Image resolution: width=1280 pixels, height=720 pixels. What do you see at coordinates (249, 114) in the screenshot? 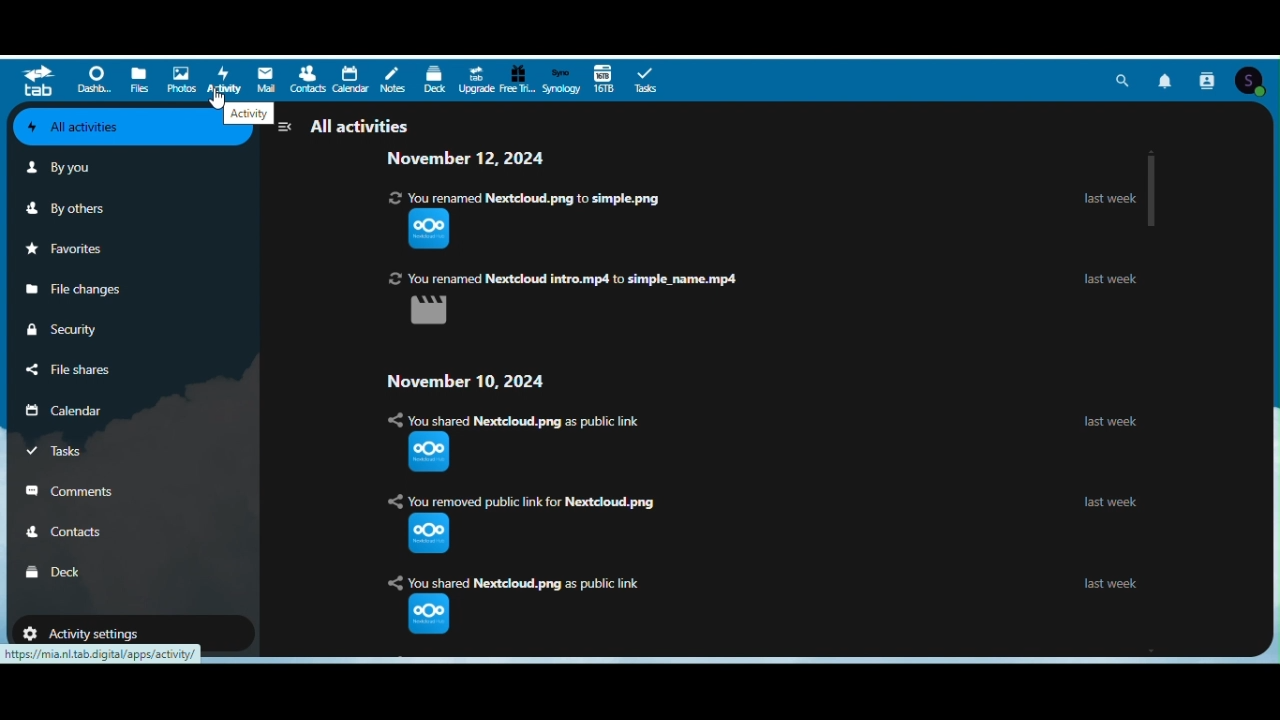
I see `activity` at bounding box center [249, 114].